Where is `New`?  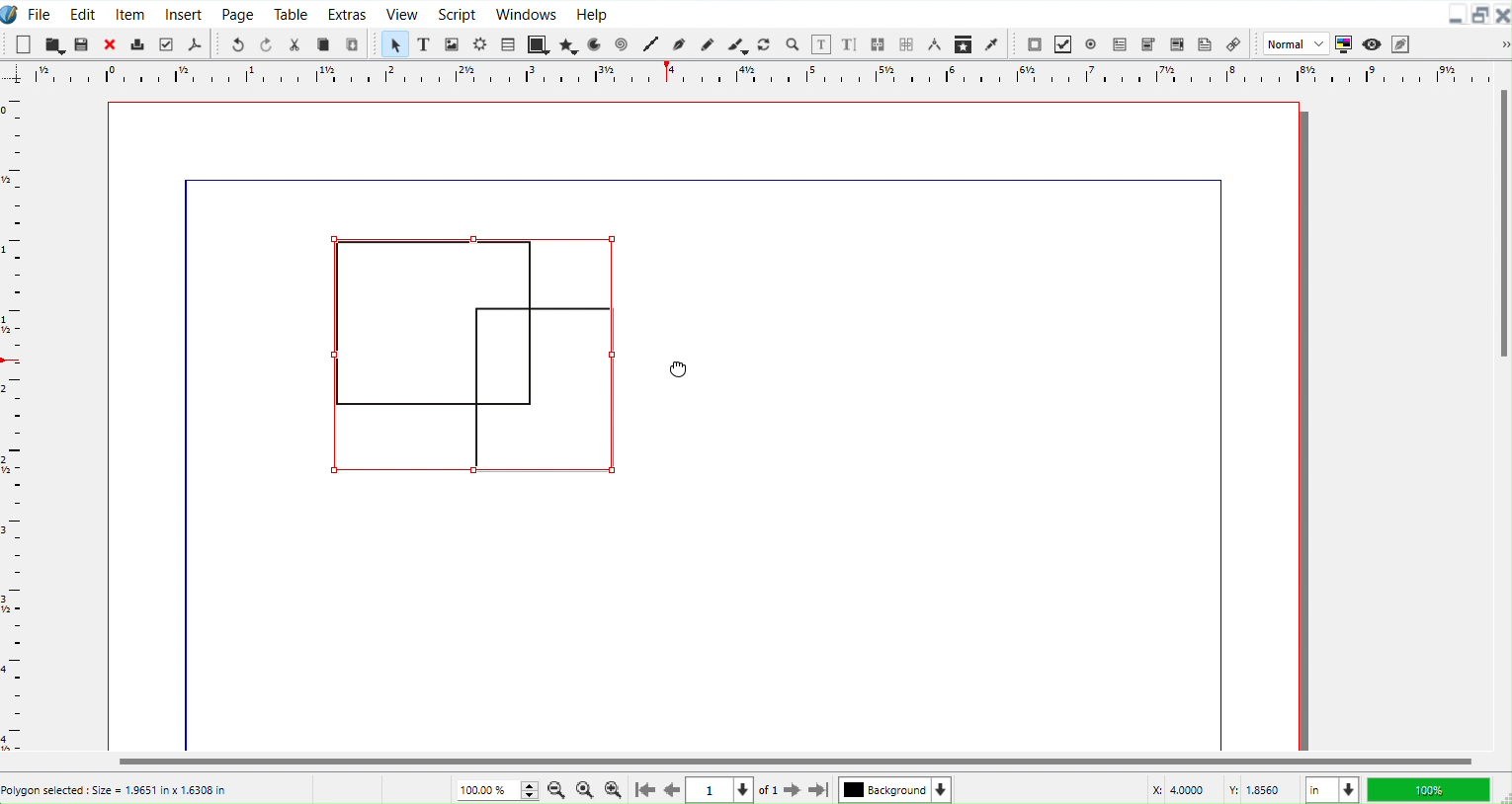 New is located at coordinates (23, 43).